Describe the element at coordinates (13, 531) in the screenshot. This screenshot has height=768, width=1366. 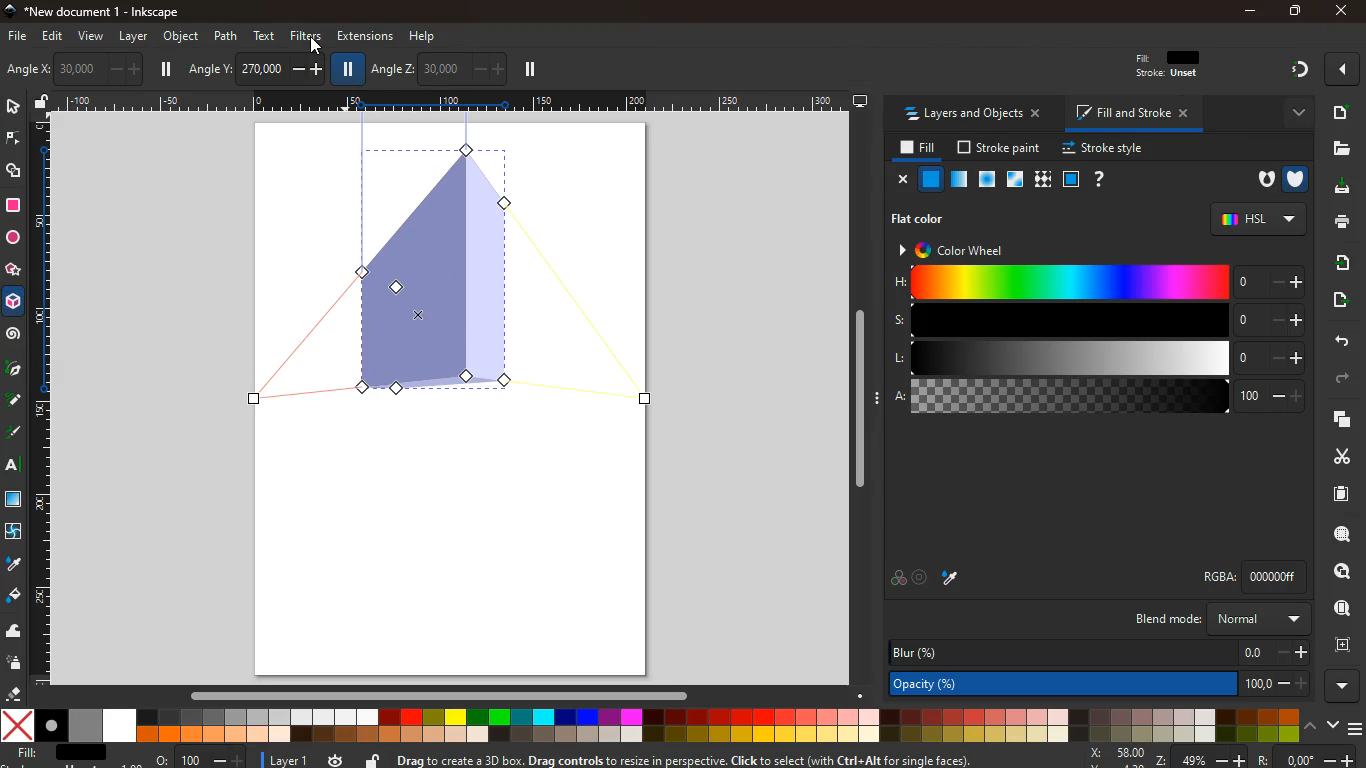
I see `twist` at that location.